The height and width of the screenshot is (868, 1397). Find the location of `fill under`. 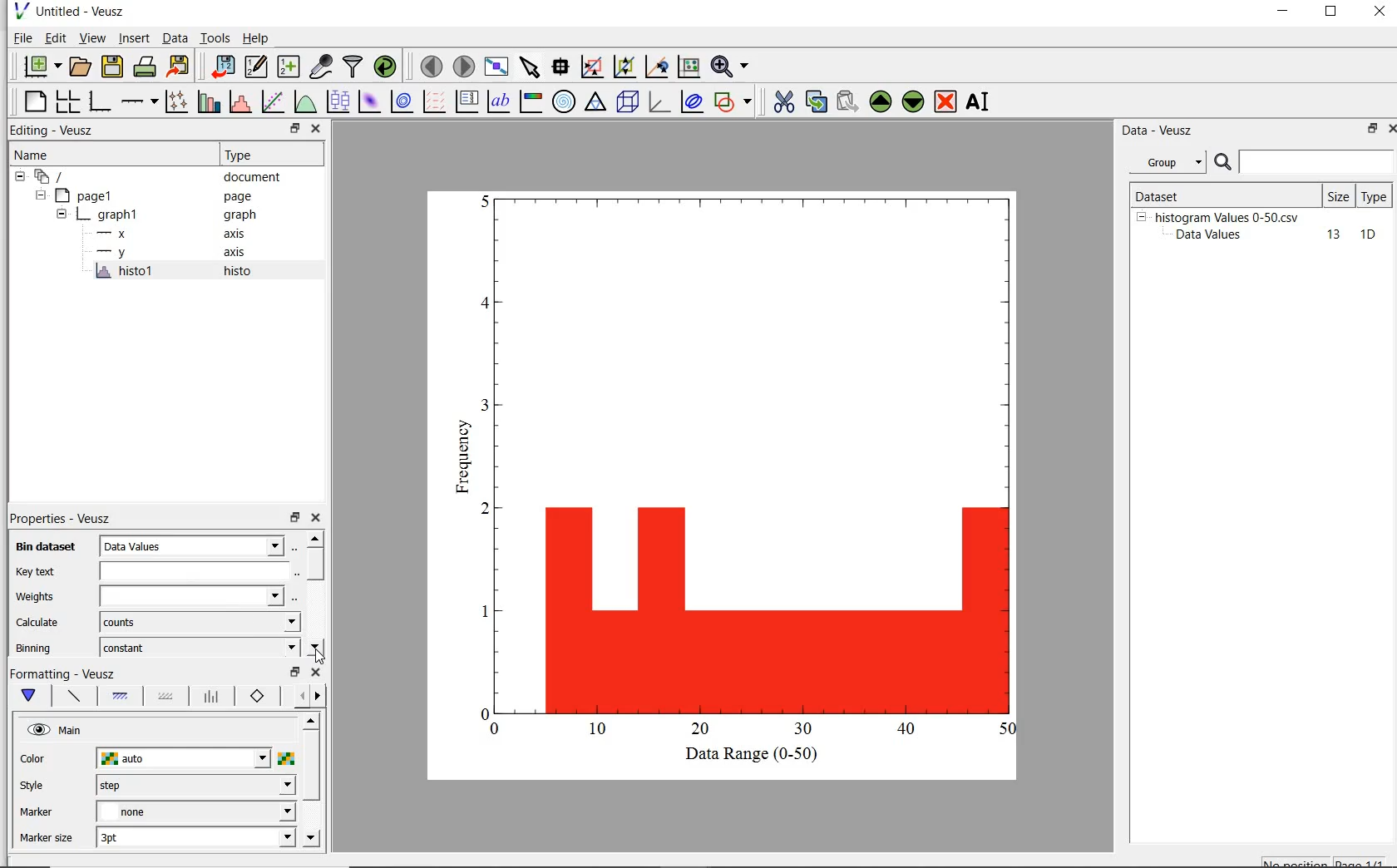

fill under is located at coordinates (121, 696).